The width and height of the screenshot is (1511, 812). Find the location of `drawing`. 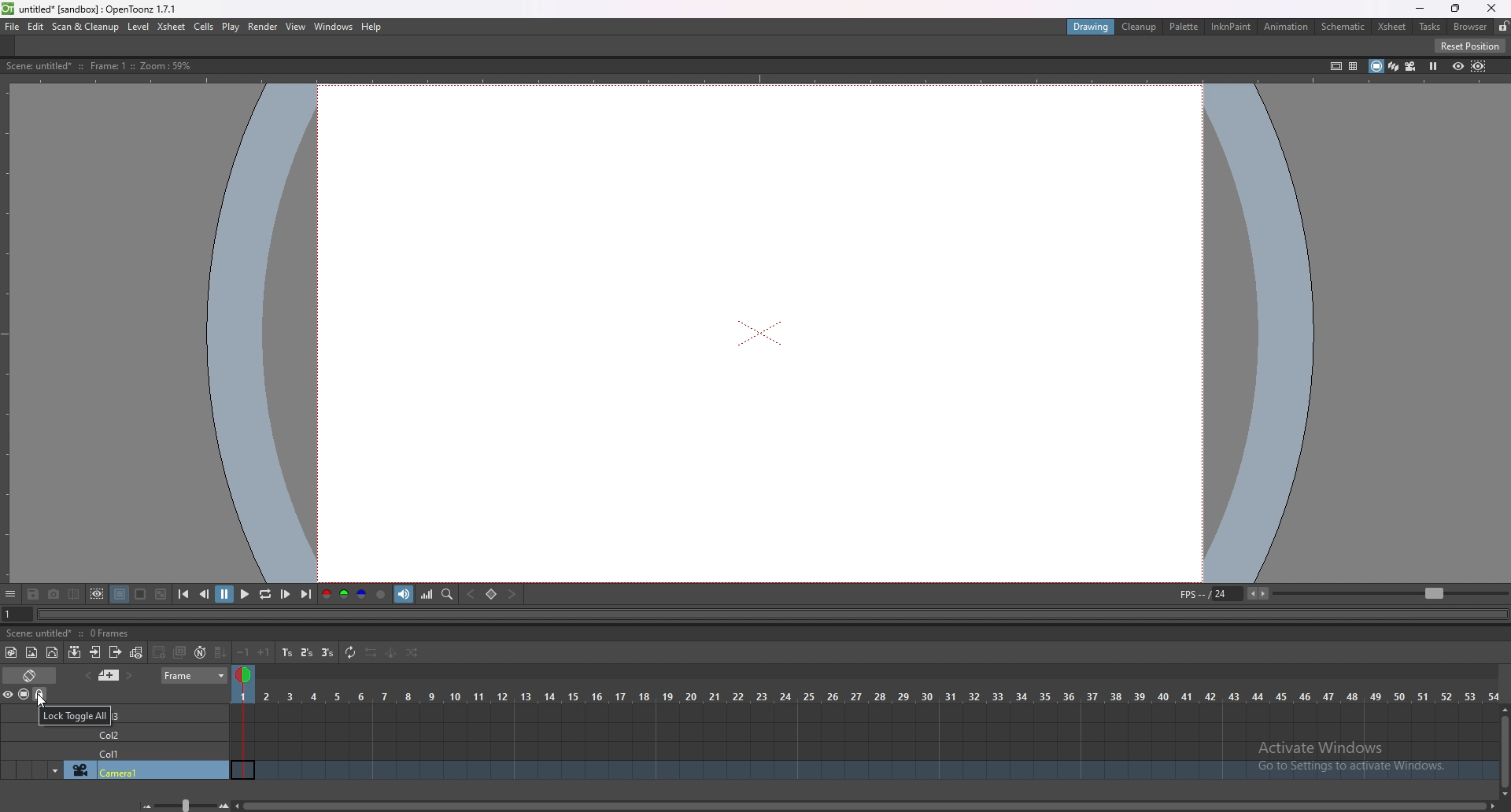

drawing is located at coordinates (1092, 28).